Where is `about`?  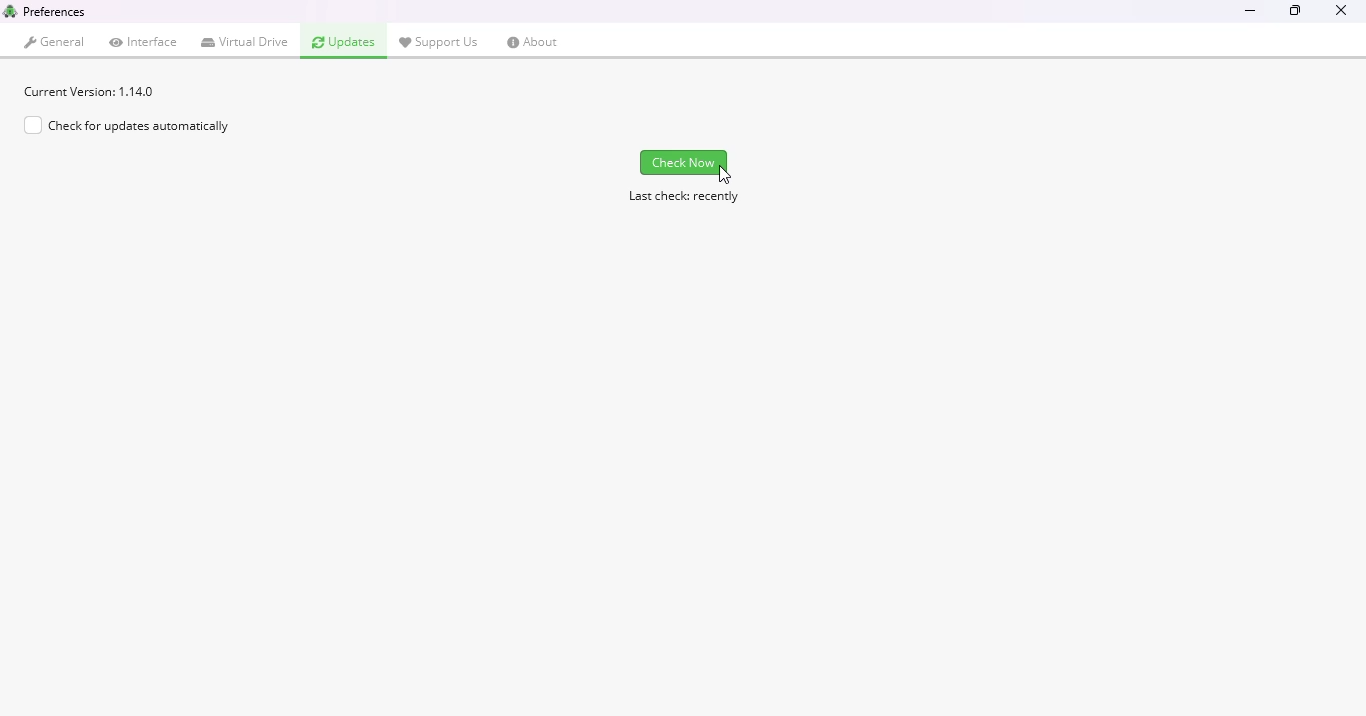
about is located at coordinates (533, 42).